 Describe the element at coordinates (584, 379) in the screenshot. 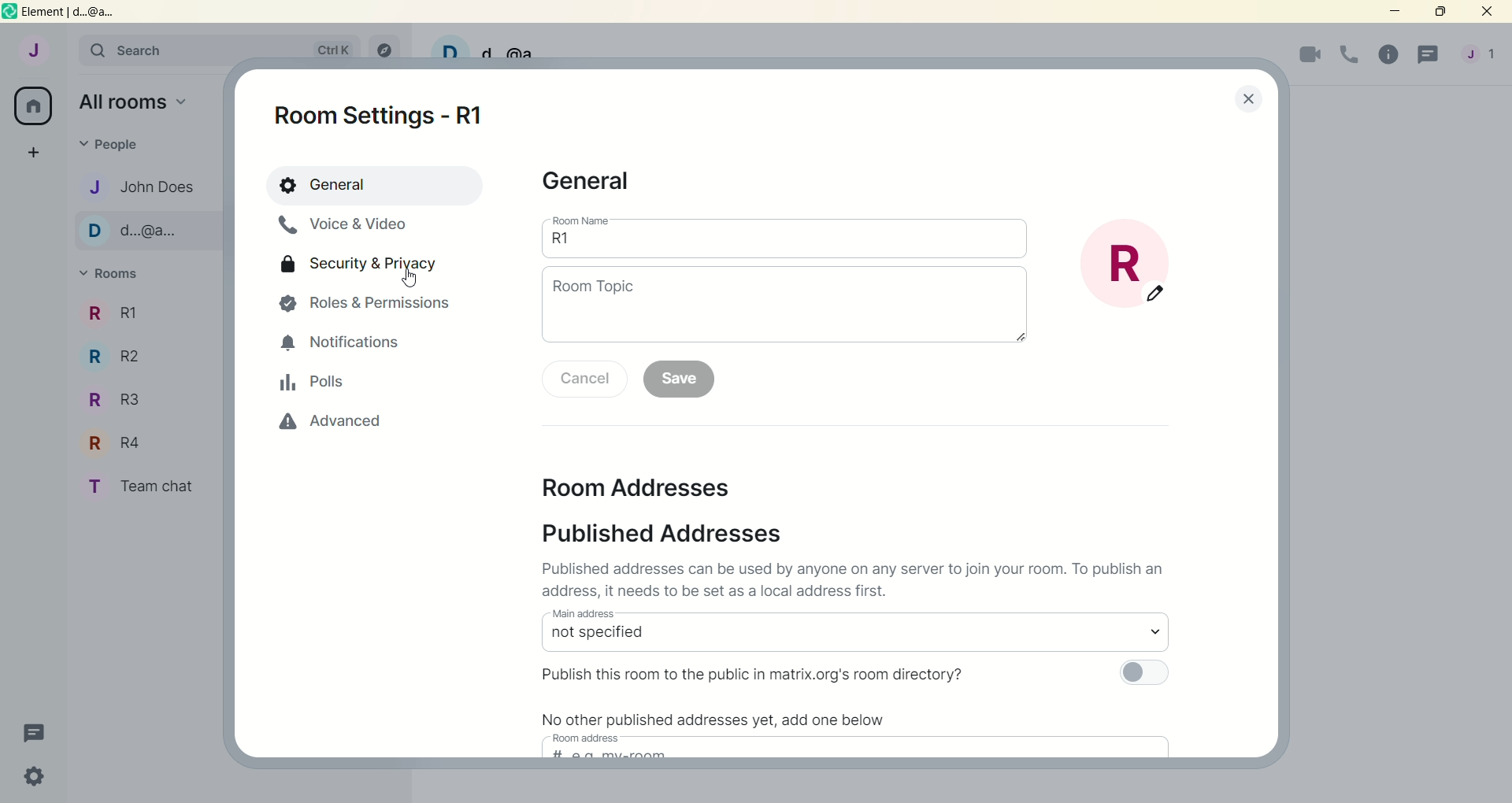

I see `cancel` at that location.